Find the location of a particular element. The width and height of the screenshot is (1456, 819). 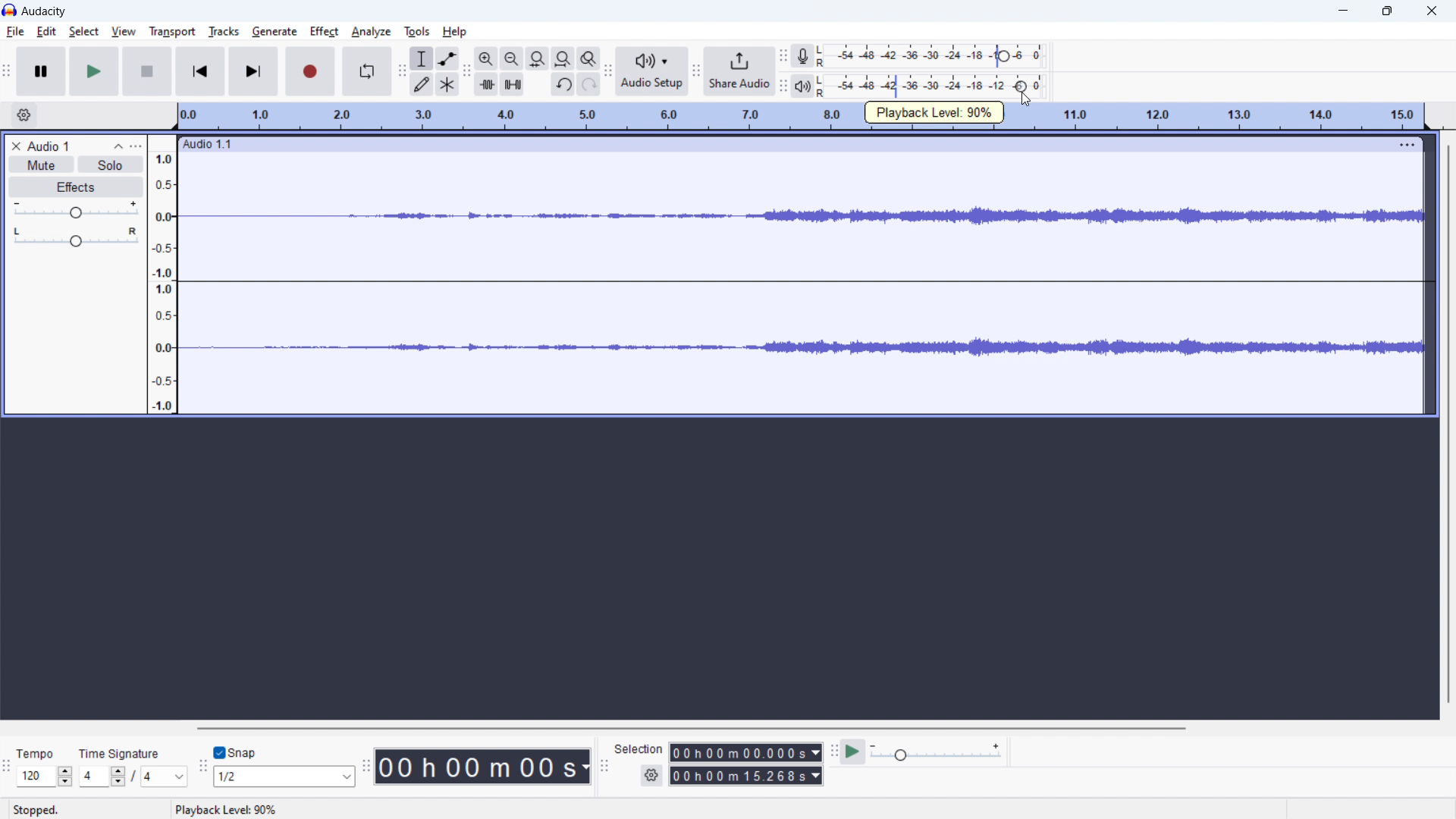

amplitude is located at coordinates (162, 275).